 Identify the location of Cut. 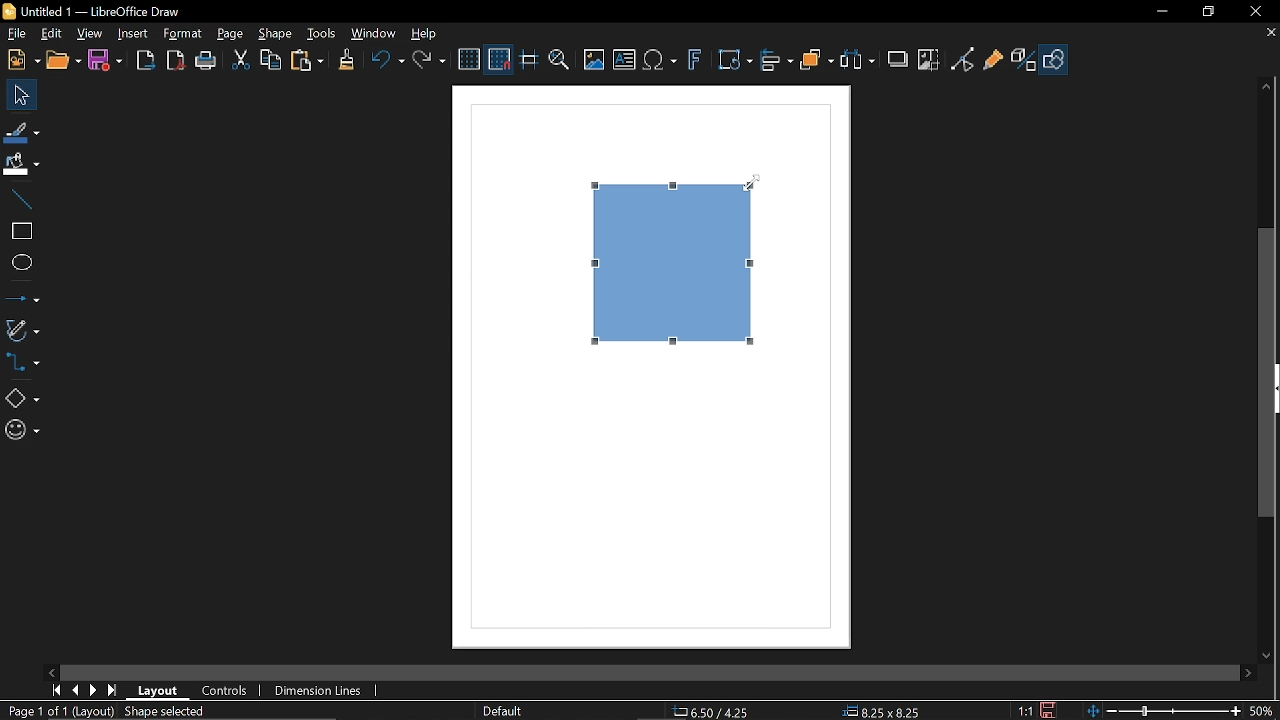
(240, 60).